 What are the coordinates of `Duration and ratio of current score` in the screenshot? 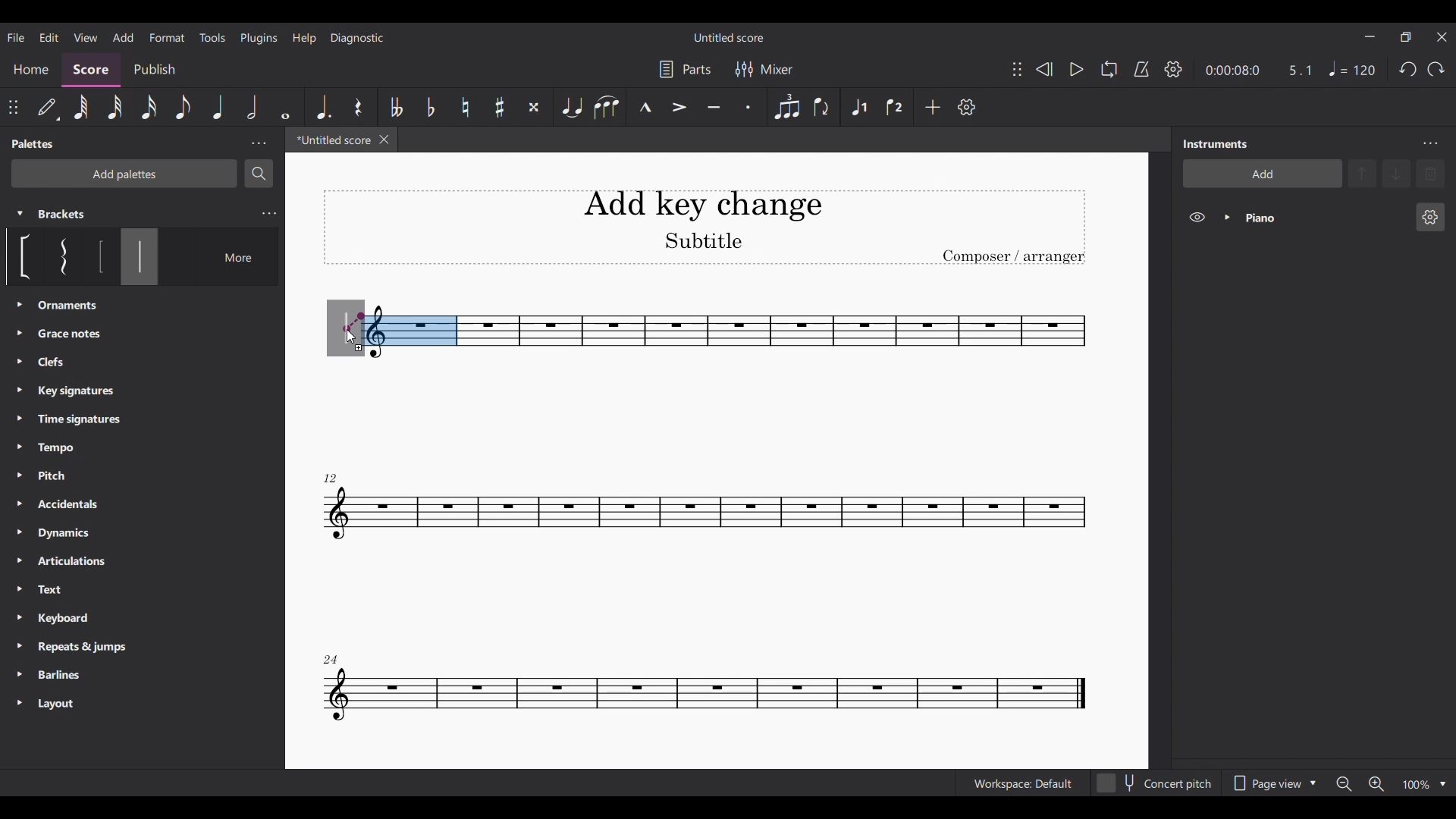 It's located at (1258, 70).